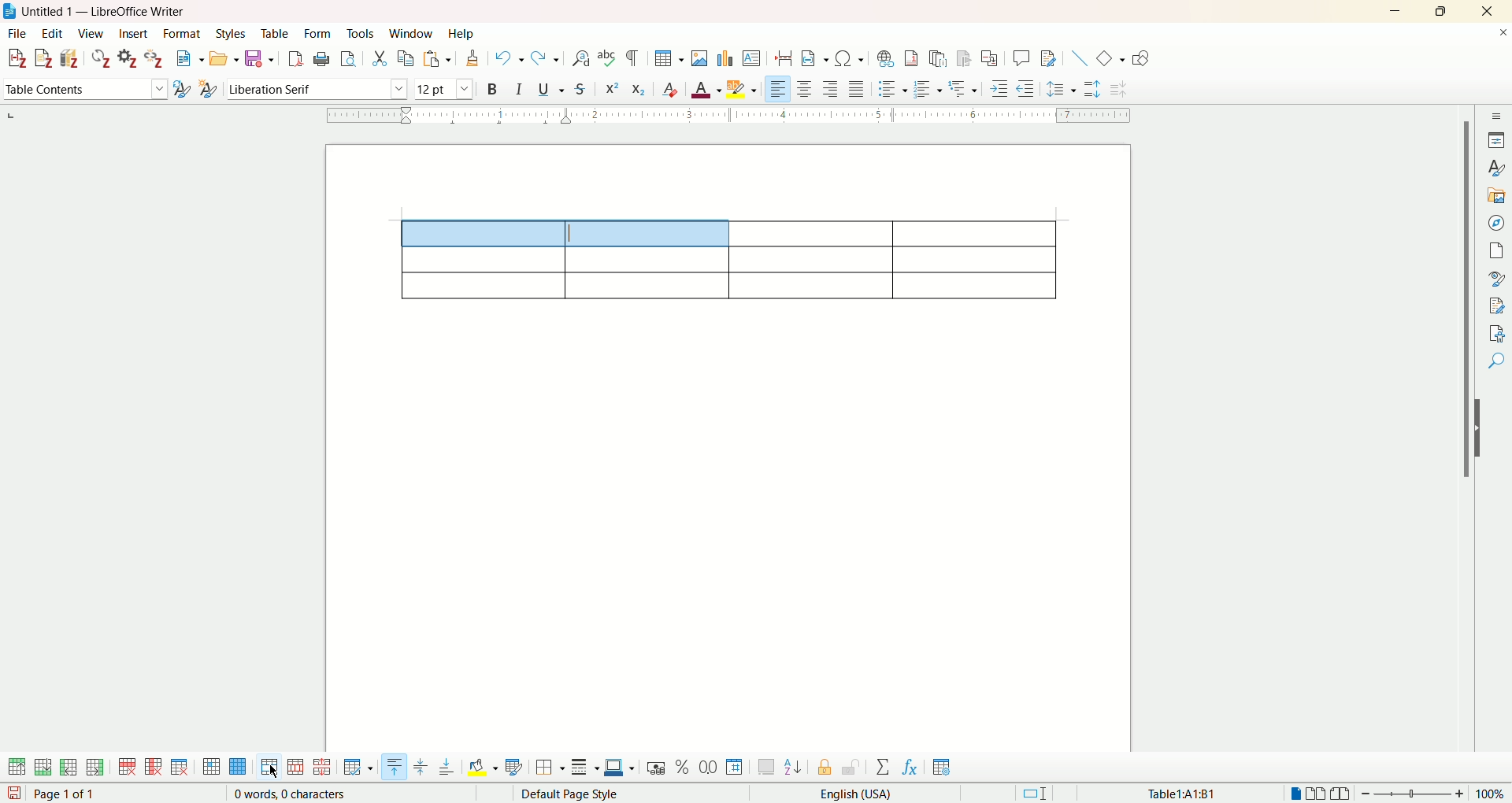 Image resolution: width=1512 pixels, height=803 pixels. I want to click on edit, so click(54, 32).